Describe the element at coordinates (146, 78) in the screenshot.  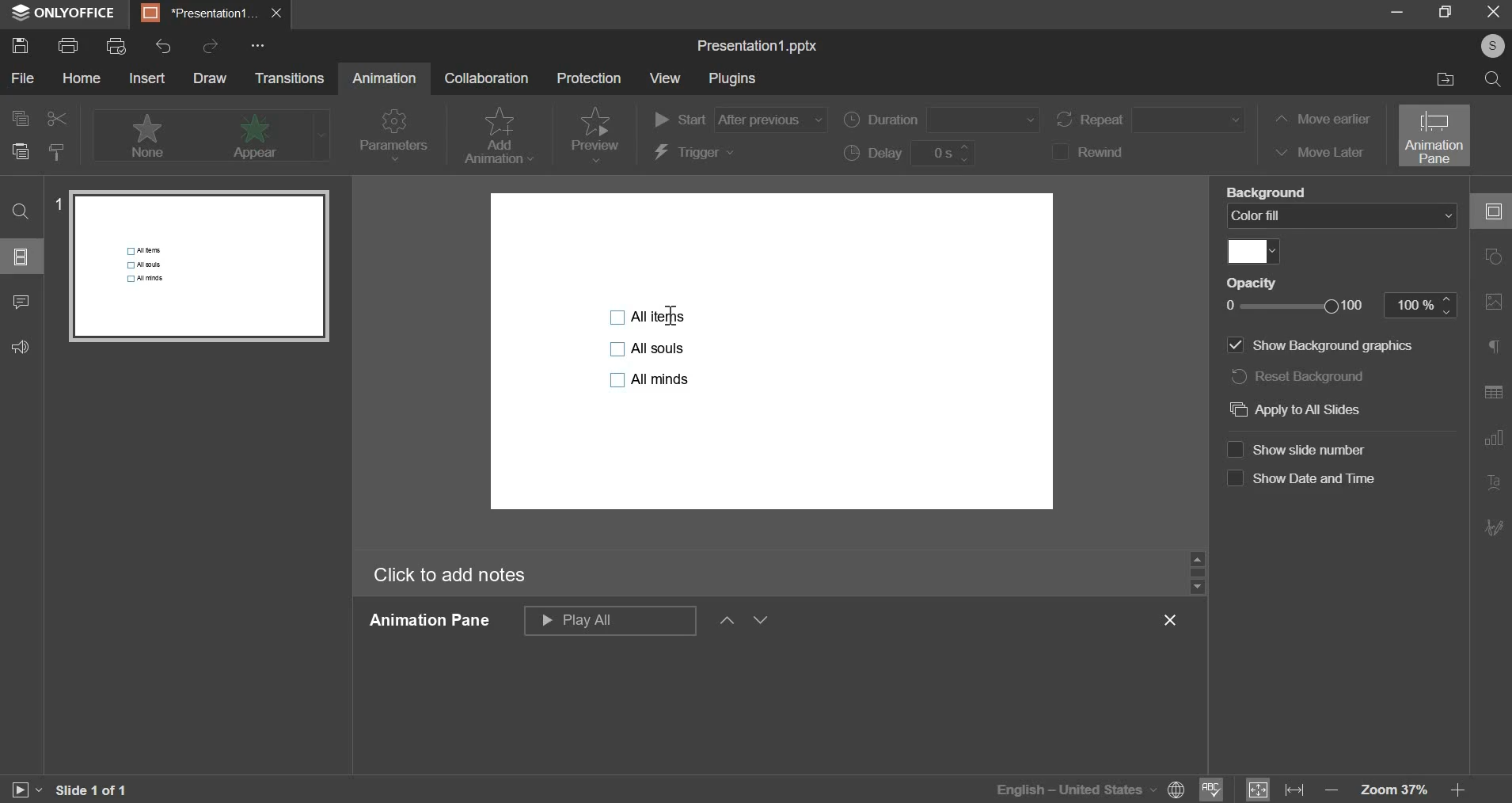
I see `insert` at that location.